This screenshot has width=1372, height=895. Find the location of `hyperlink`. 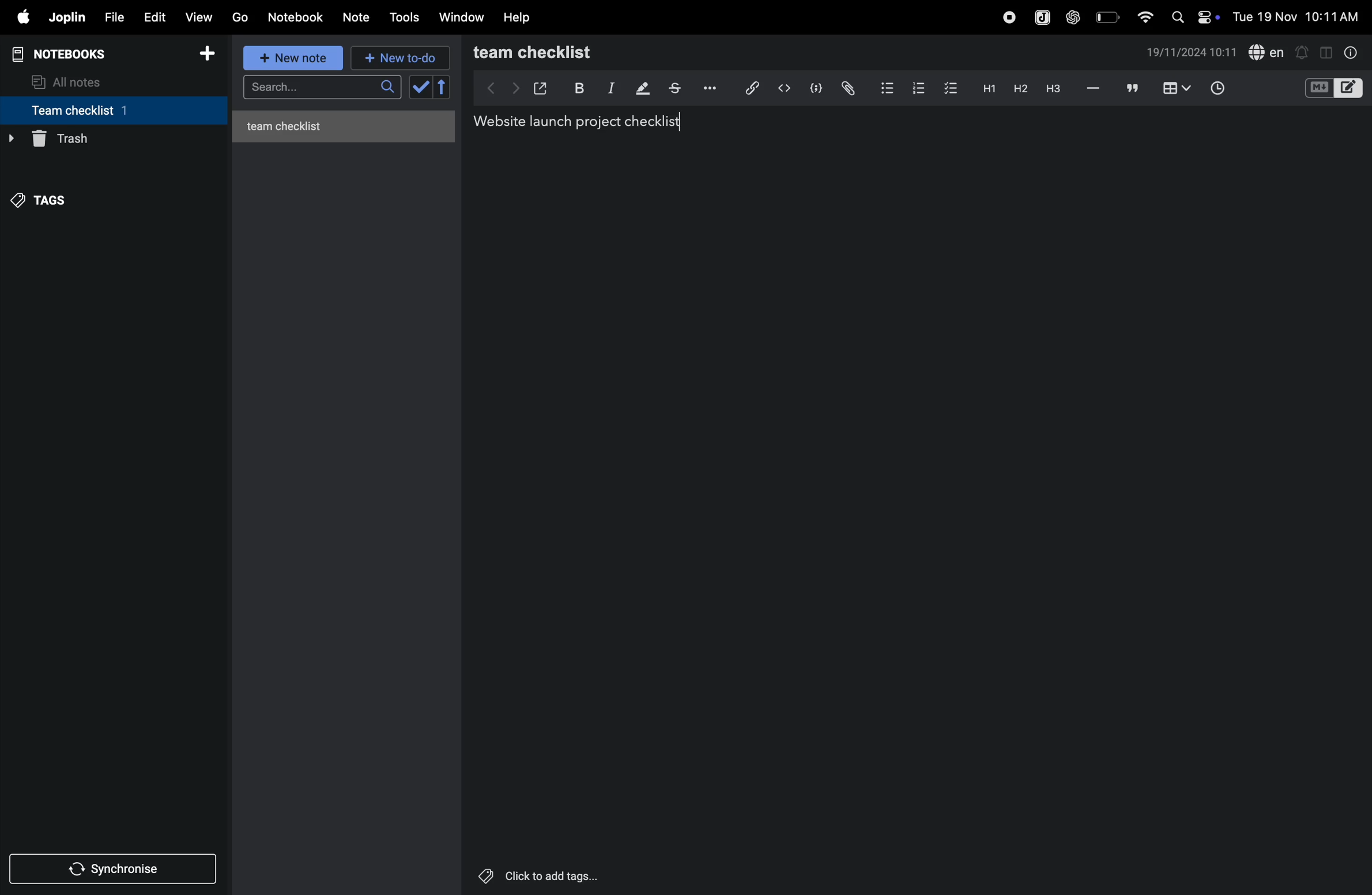

hyperlink is located at coordinates (747, 87).